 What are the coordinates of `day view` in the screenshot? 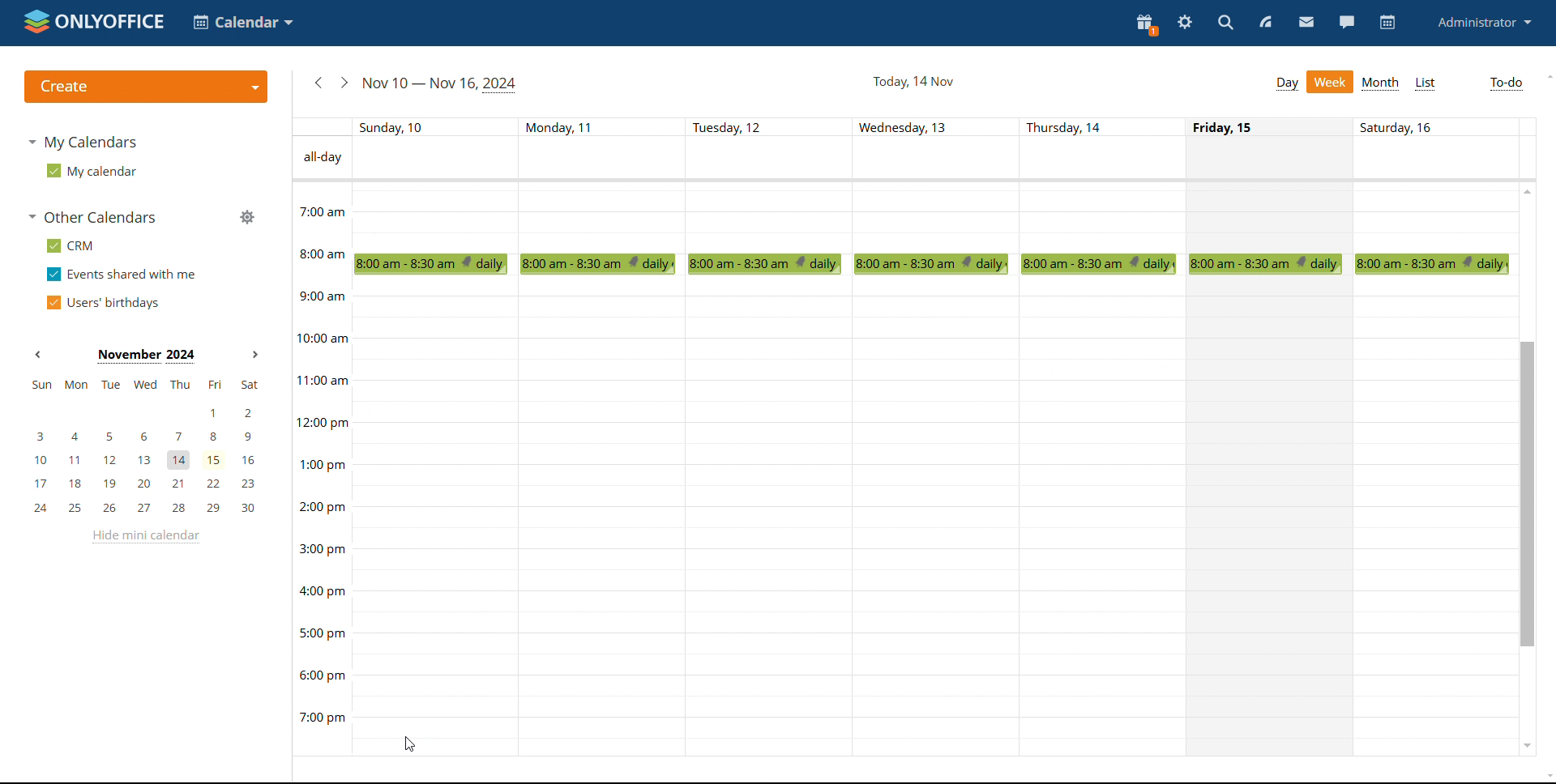 It's located at (1287, 84).